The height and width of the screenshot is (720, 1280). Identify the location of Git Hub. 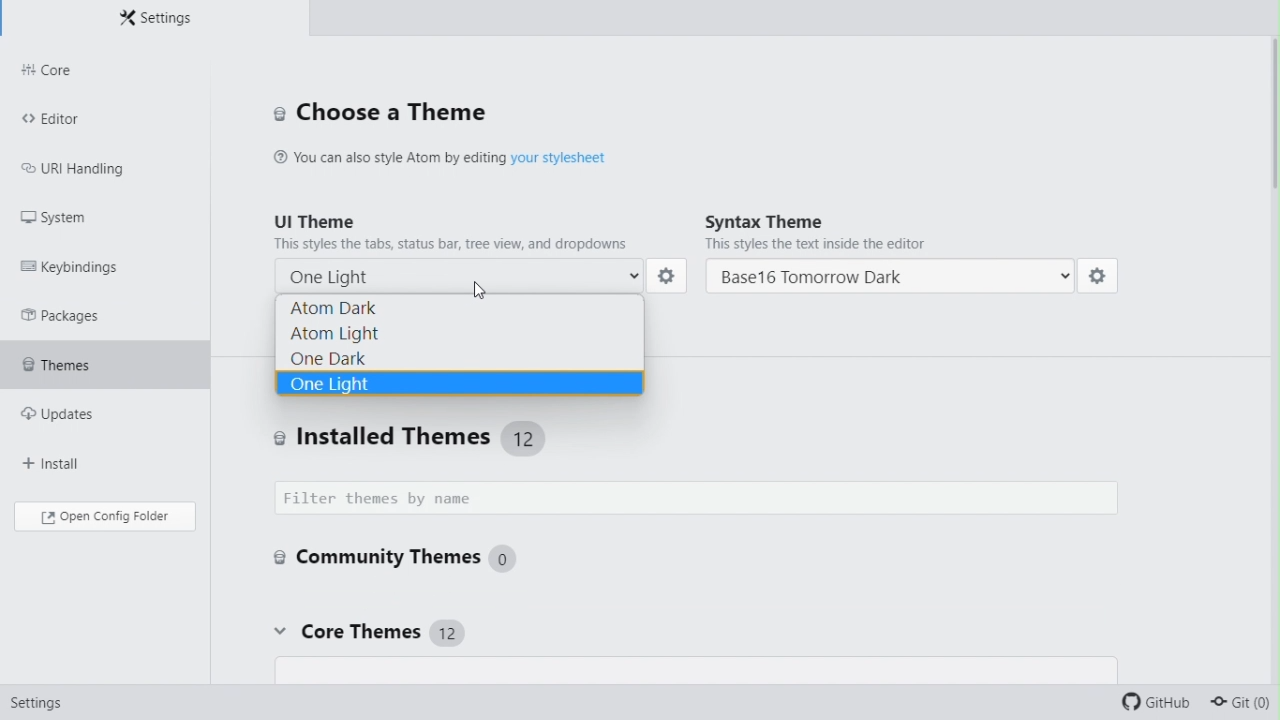
(1160, 704).